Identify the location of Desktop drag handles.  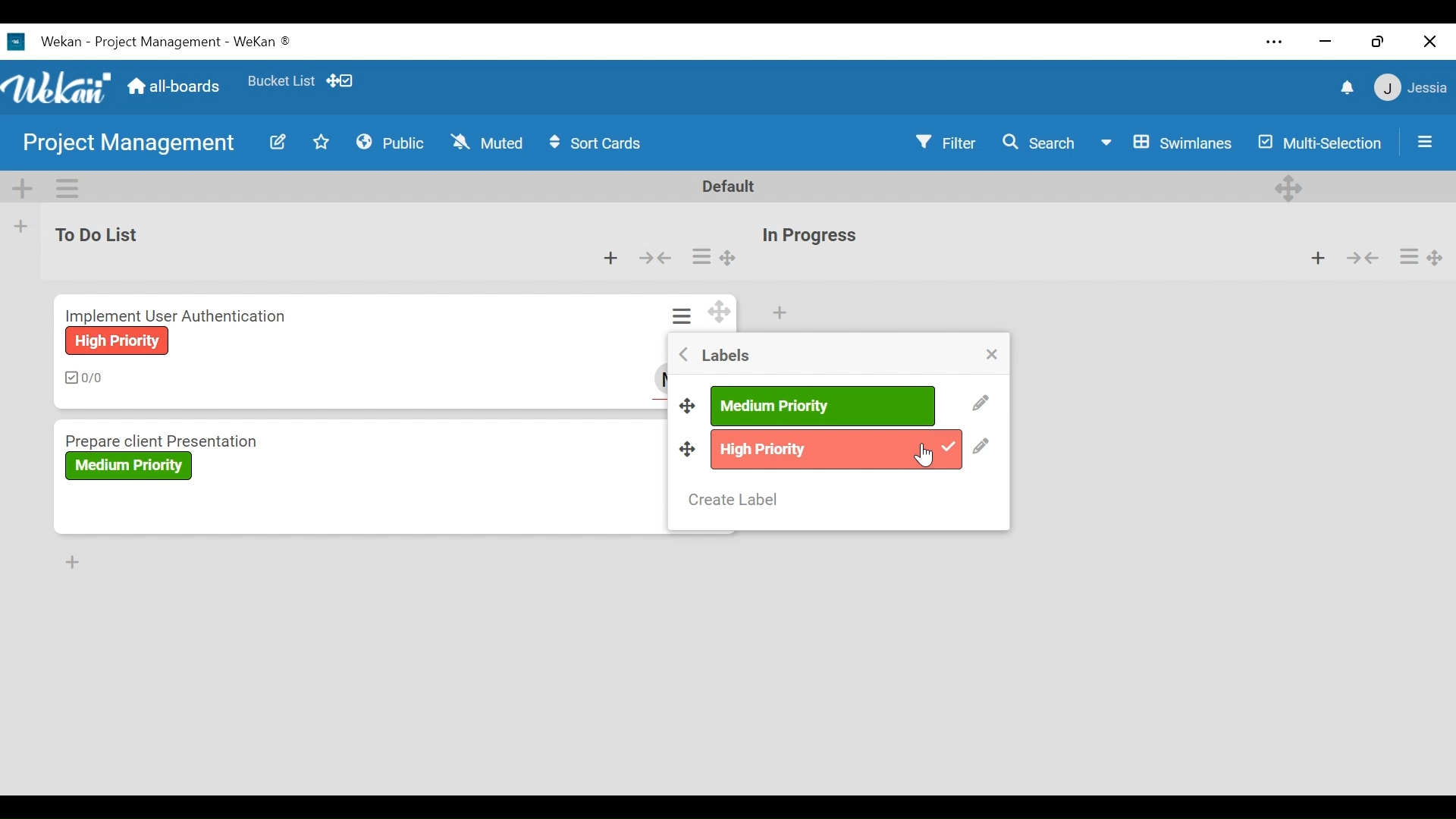
(722, 312).